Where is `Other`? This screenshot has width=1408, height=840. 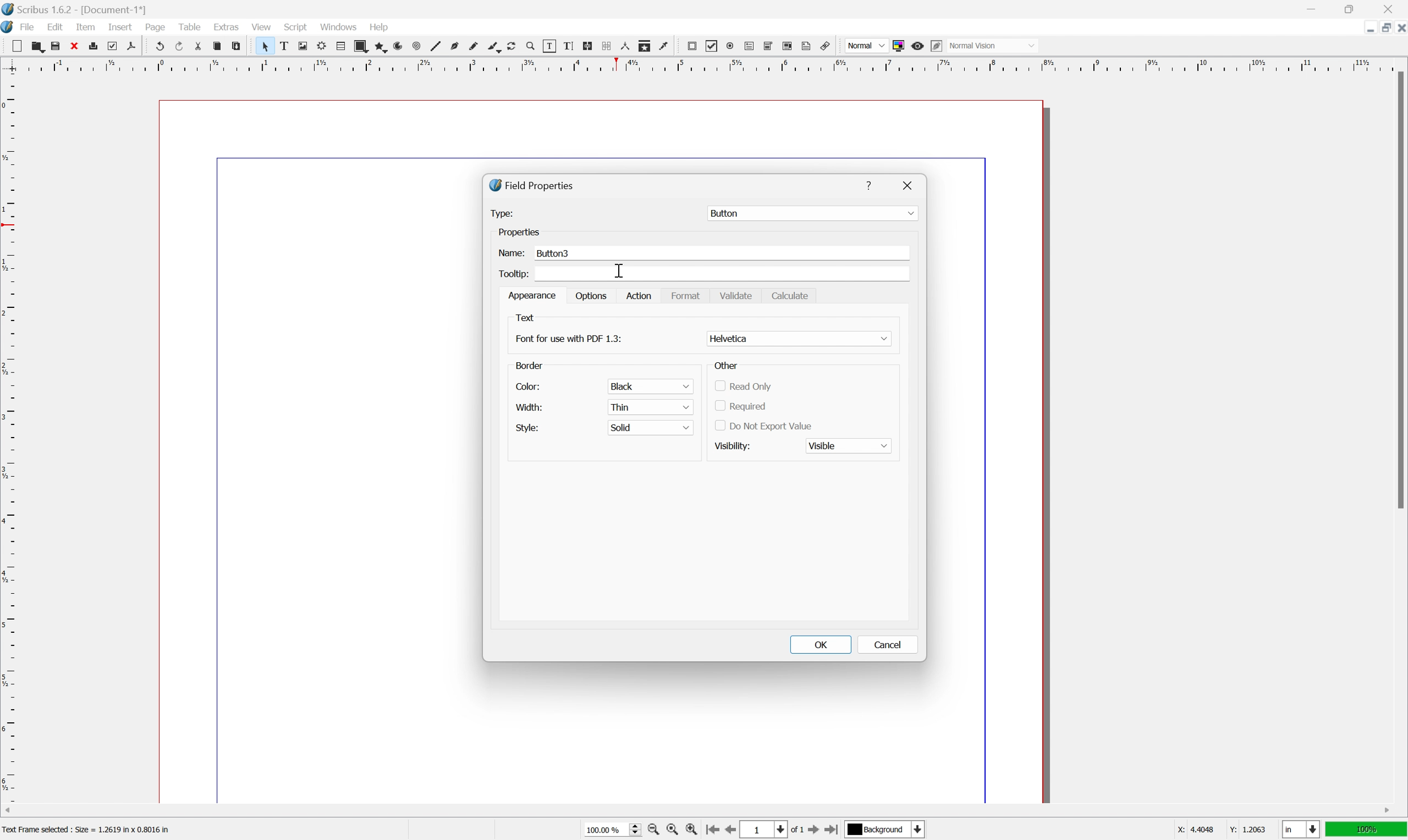 Other is located at coordinates (727, 366).